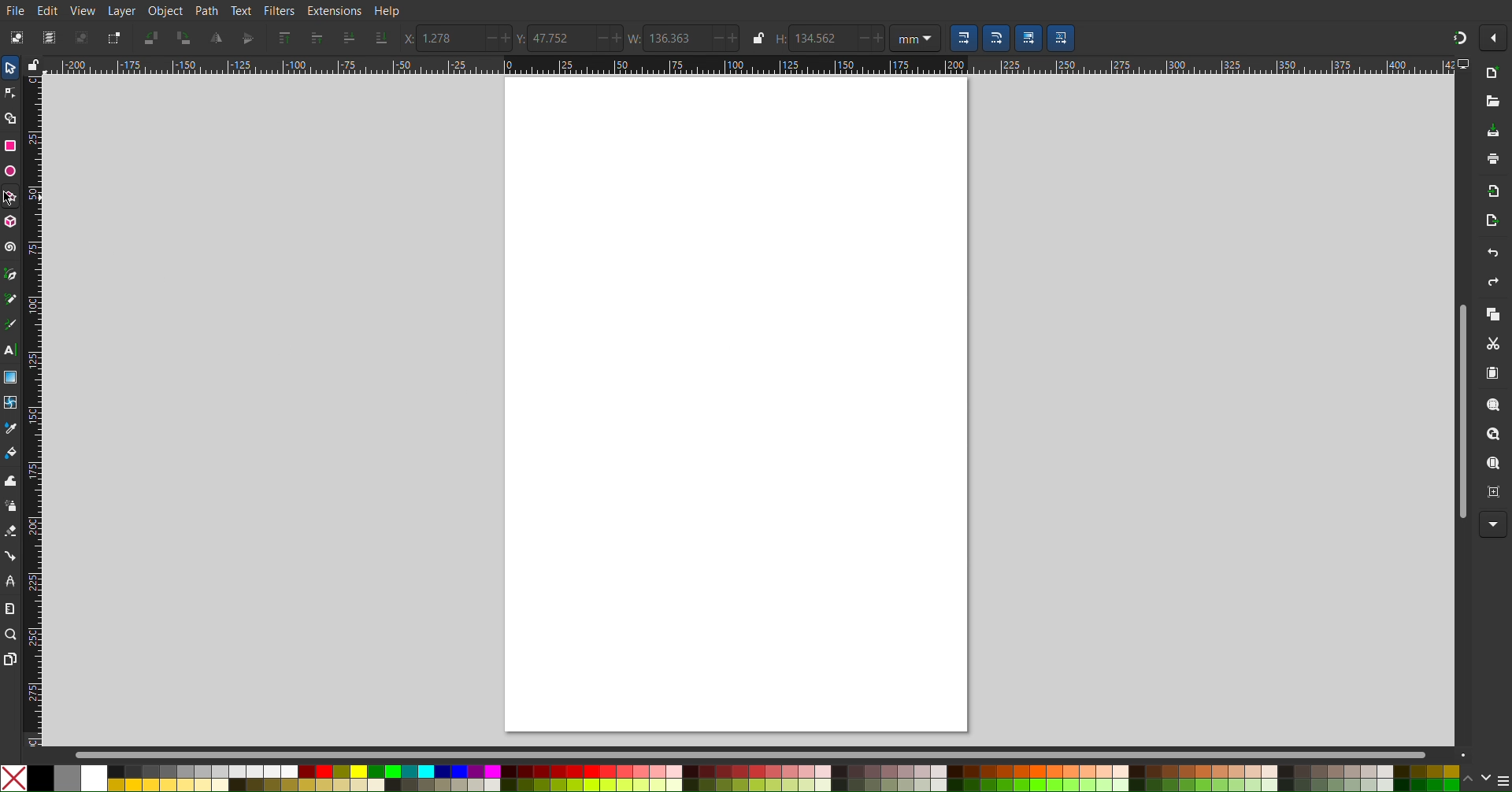  I want to click on increase/decrease, so click(609, 37).